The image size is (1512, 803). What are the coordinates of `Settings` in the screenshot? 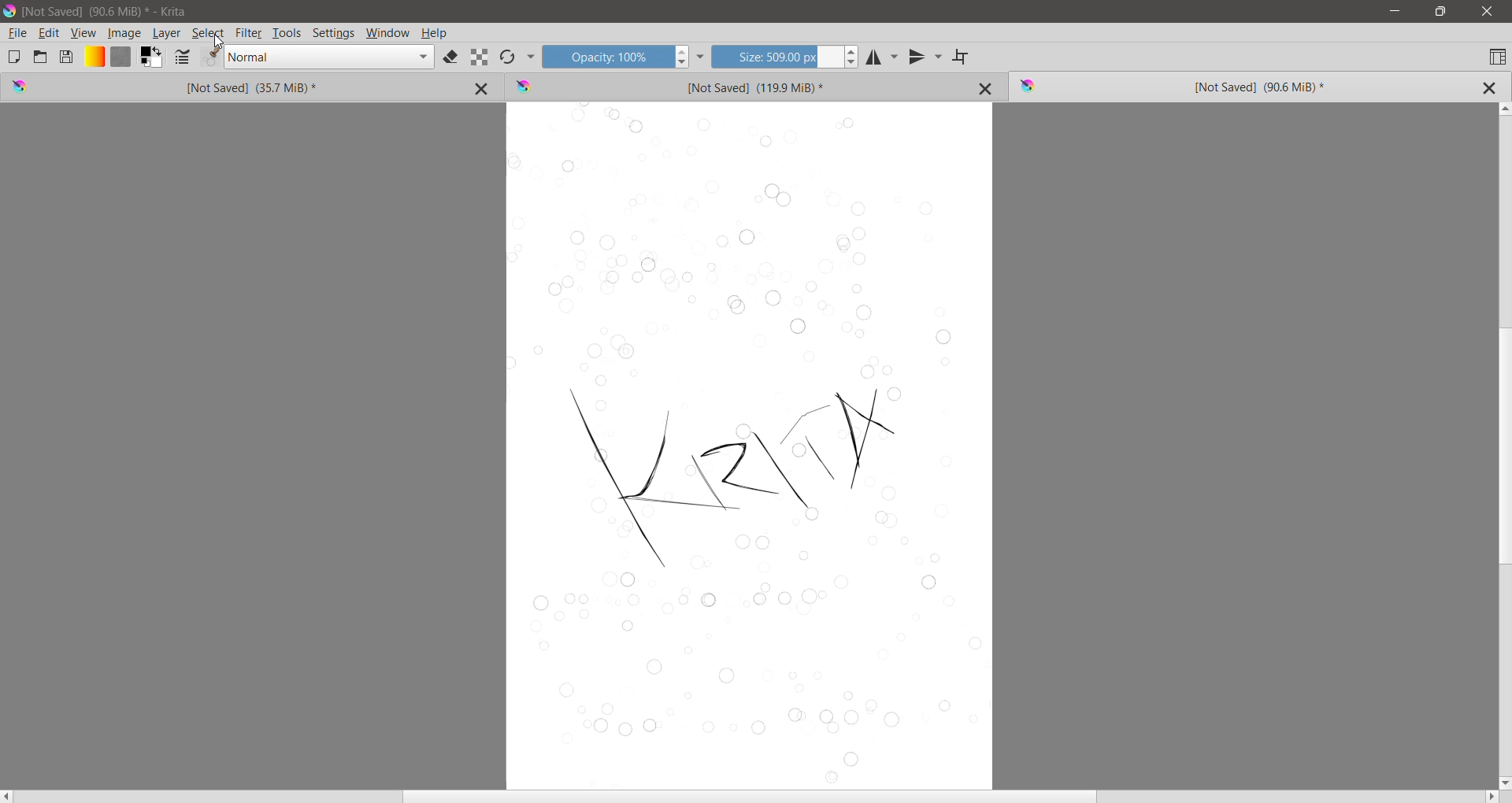 It's located at (334, 34).